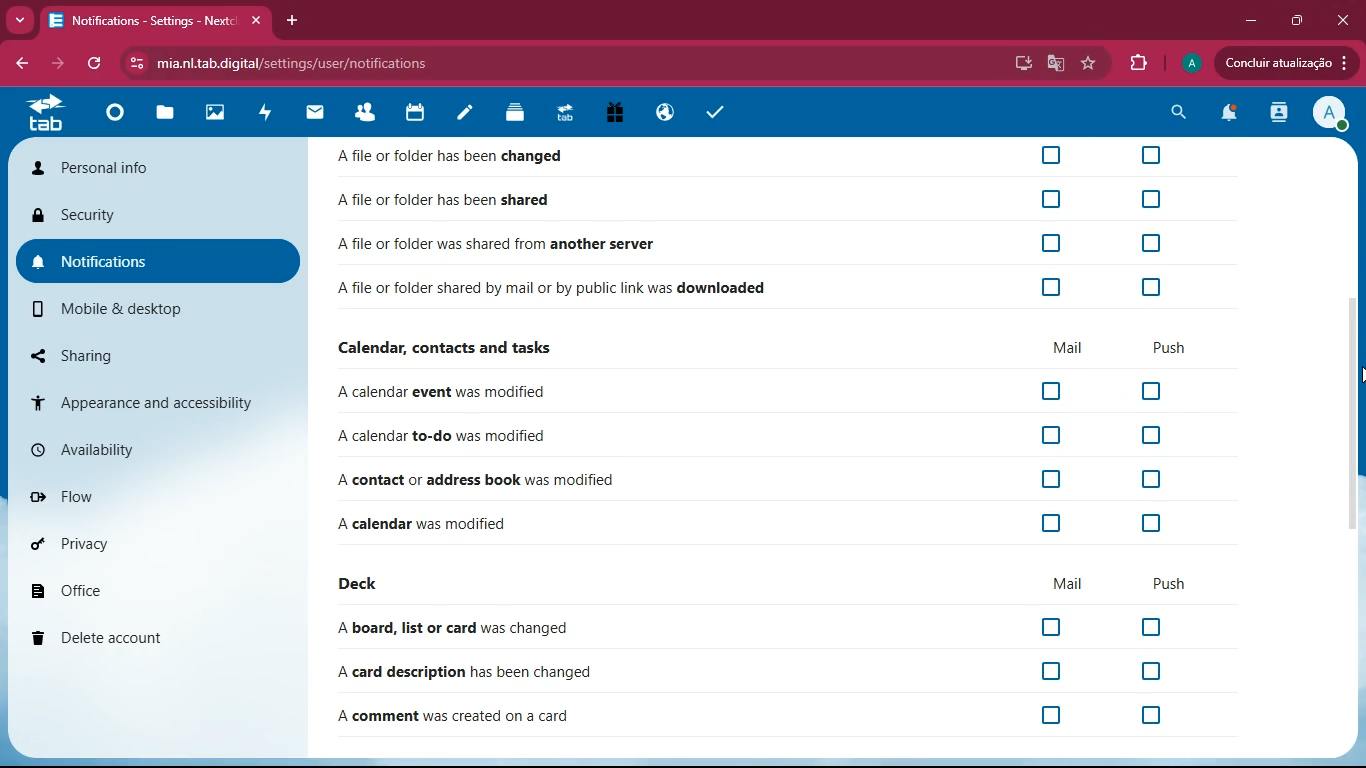 The image size is (1366, 768). What do you see at coordinates (1168, 584) in the screenshot?
I see `push` at bounding box center [1168, 584].